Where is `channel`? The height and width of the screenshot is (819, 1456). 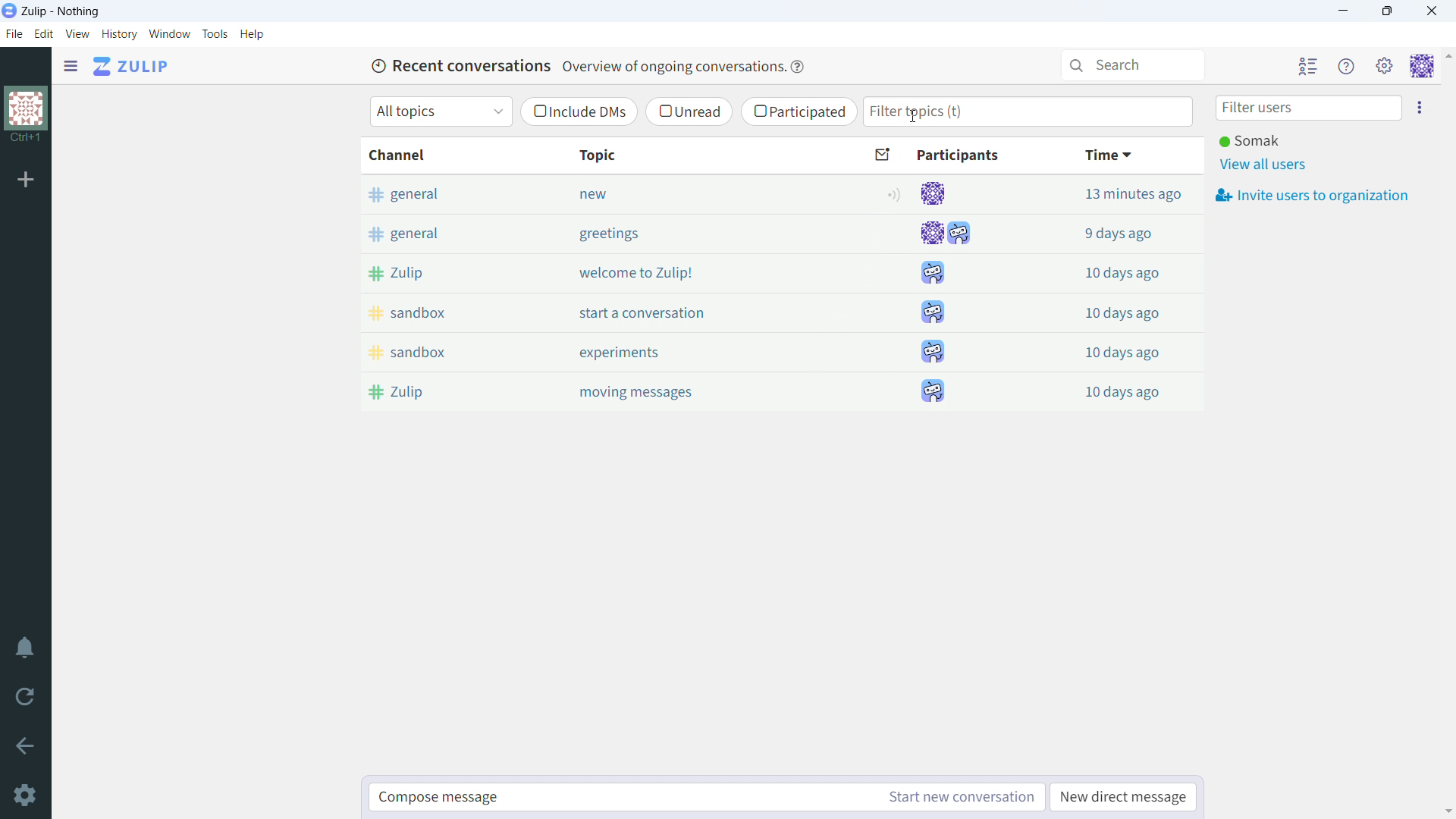
channel is located at coordinates (438, 155).